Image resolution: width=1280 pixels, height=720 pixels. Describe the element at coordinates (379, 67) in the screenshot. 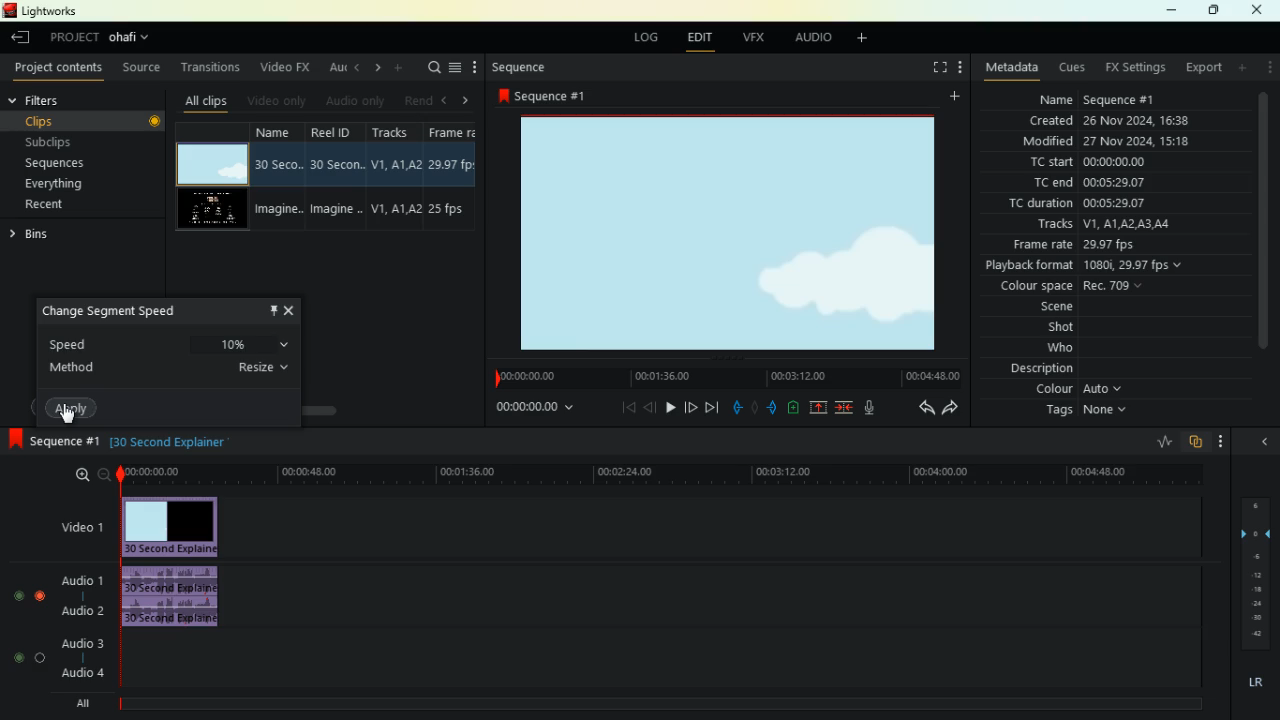

I see `right` at that location.